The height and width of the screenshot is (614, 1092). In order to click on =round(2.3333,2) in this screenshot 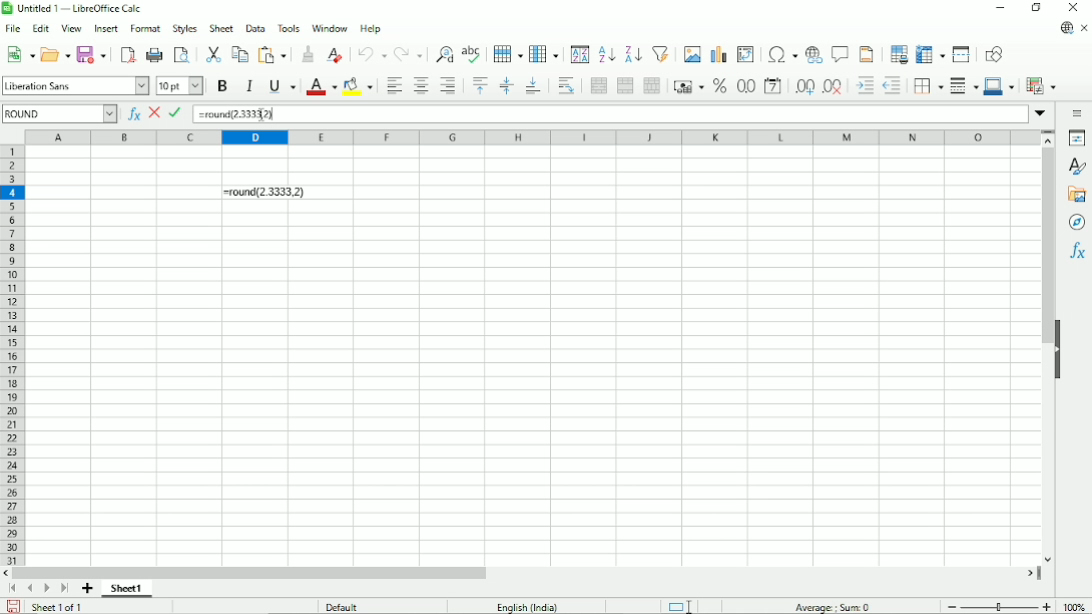, I will do `click(237, 114)`.